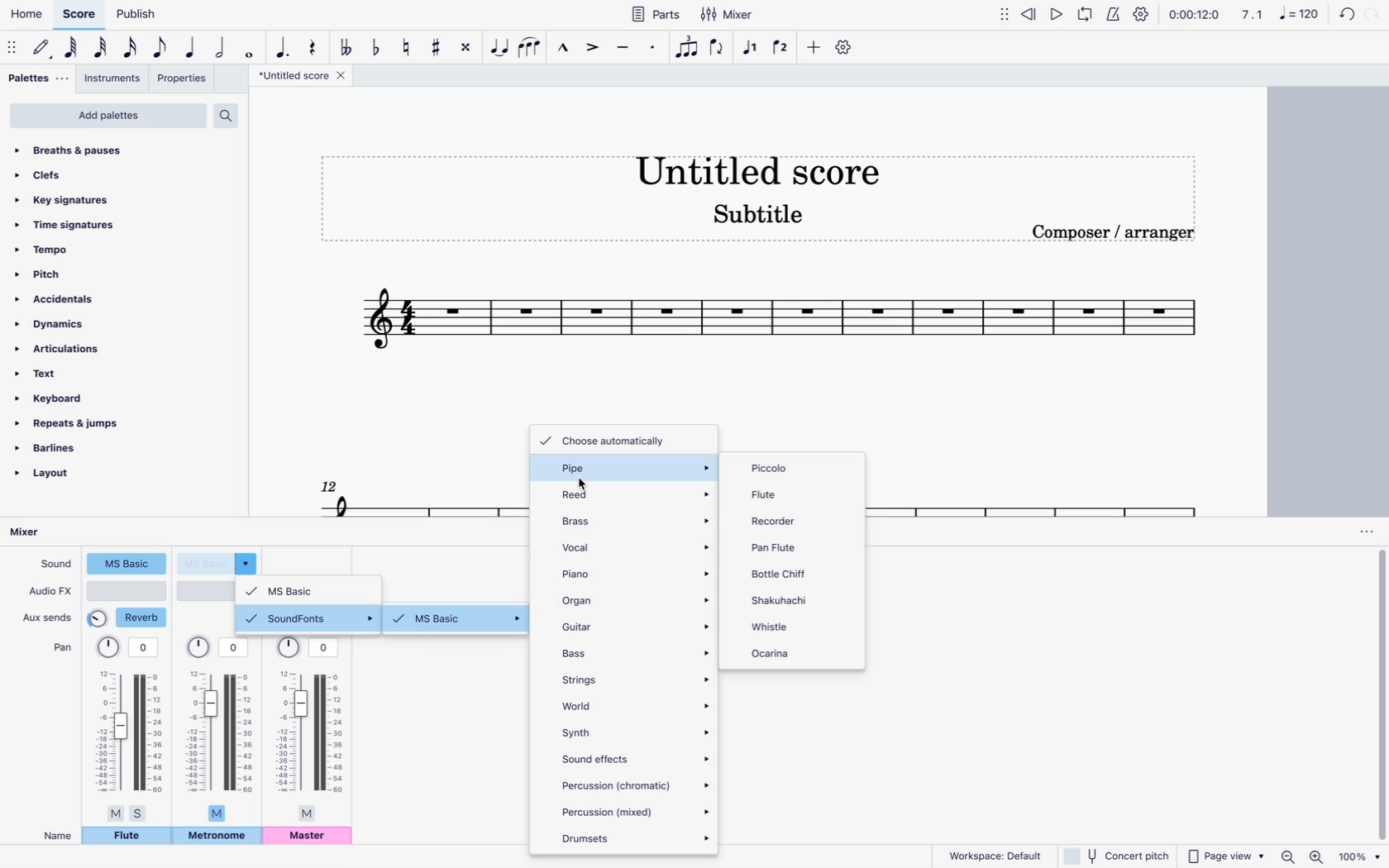  Describe the element at coordinates (97, 274) in the screenshot. I see `pitch` at that location.